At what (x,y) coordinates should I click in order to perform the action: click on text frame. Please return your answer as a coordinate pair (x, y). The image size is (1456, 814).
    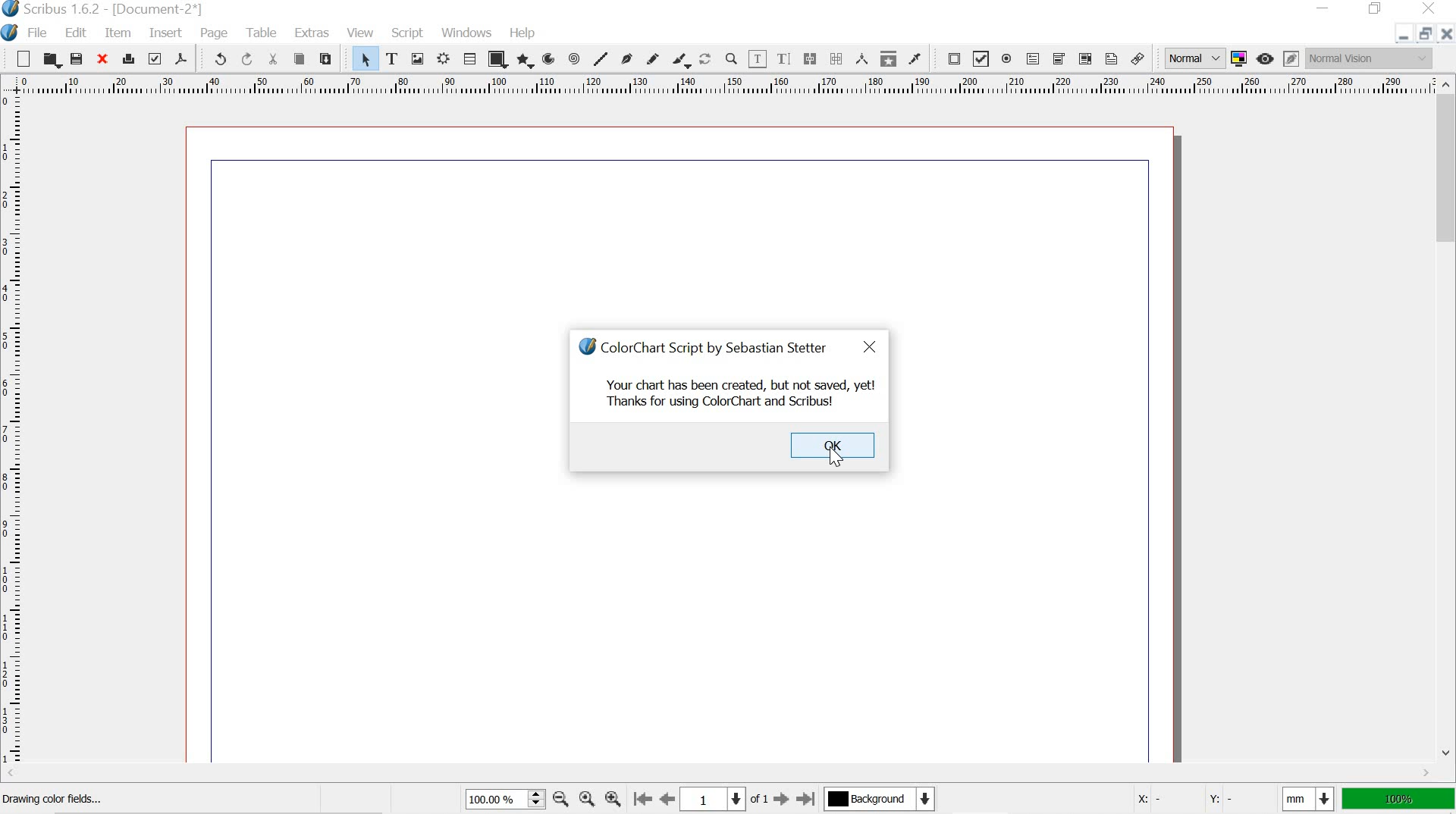
    Looking at the image, I should click on (391, 58).